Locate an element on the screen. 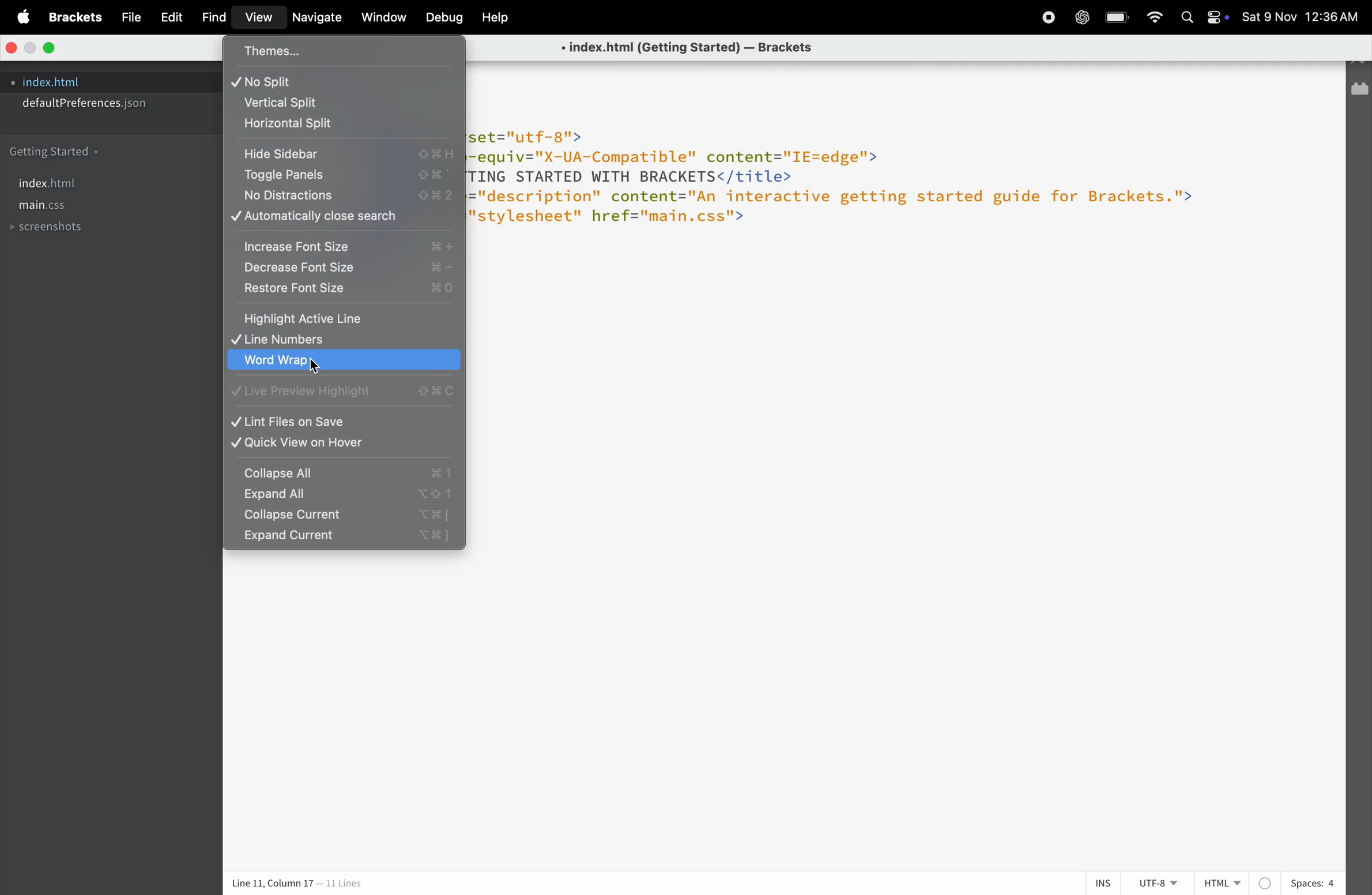 Image resolution: width=1372 pixels, height=895 pixels. html is located at coordinates (1219, 883).